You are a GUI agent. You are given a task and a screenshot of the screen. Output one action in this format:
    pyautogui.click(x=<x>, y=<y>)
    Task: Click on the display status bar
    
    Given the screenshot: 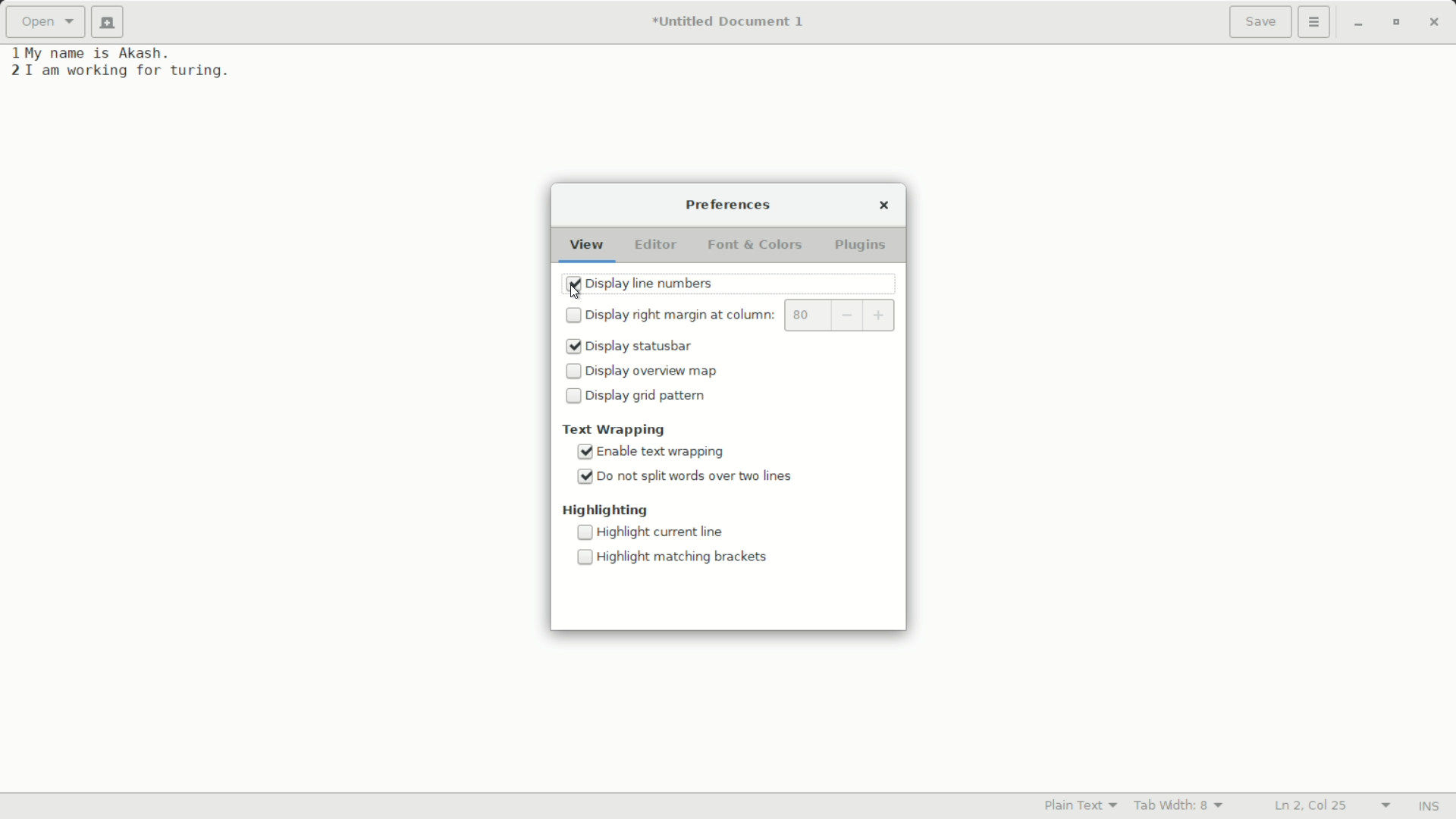 What is the action you would take?
    pyautogui.click(x=651, y=347)
    